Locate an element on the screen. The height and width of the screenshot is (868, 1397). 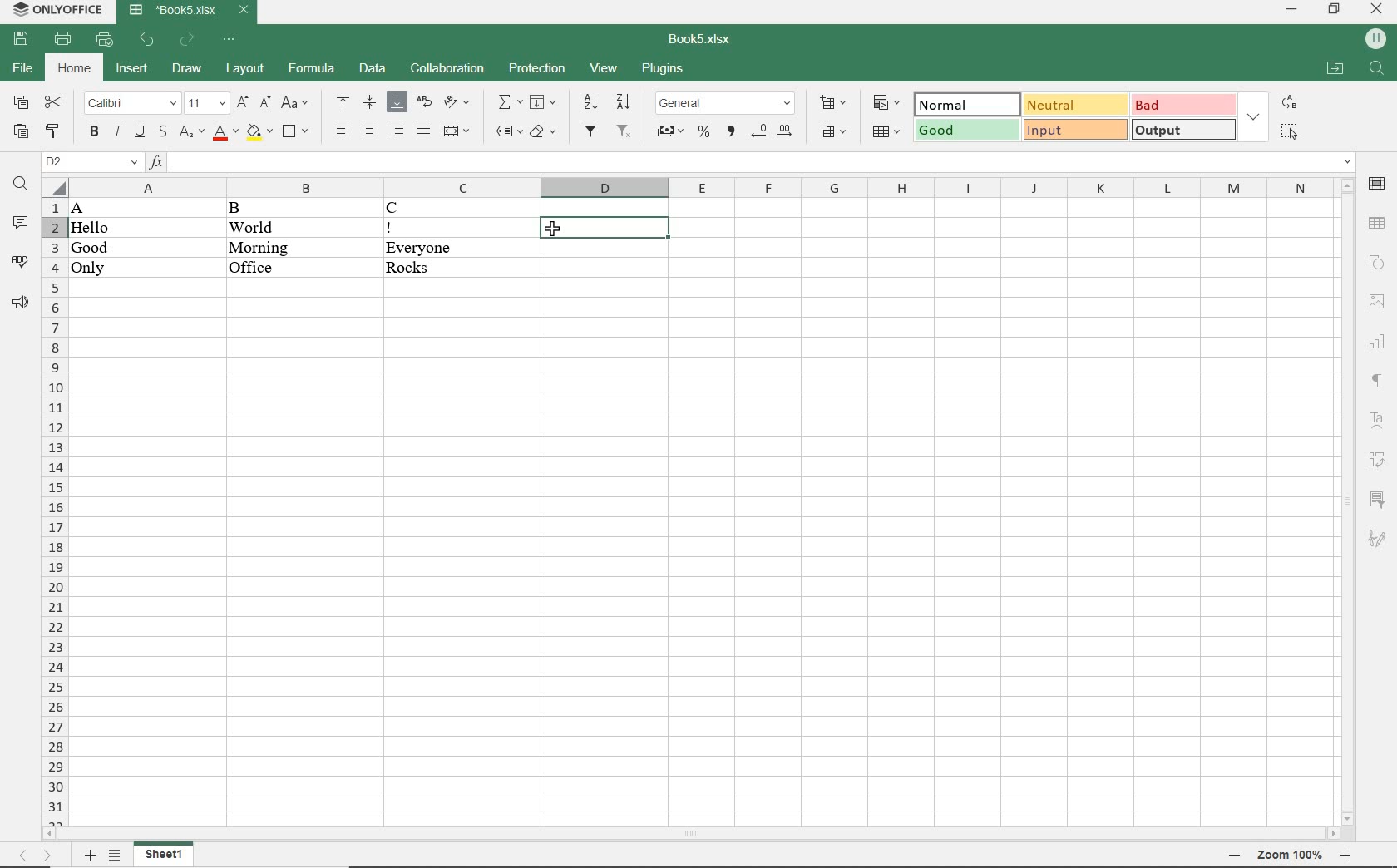
file is located at coordinates (23, 69).